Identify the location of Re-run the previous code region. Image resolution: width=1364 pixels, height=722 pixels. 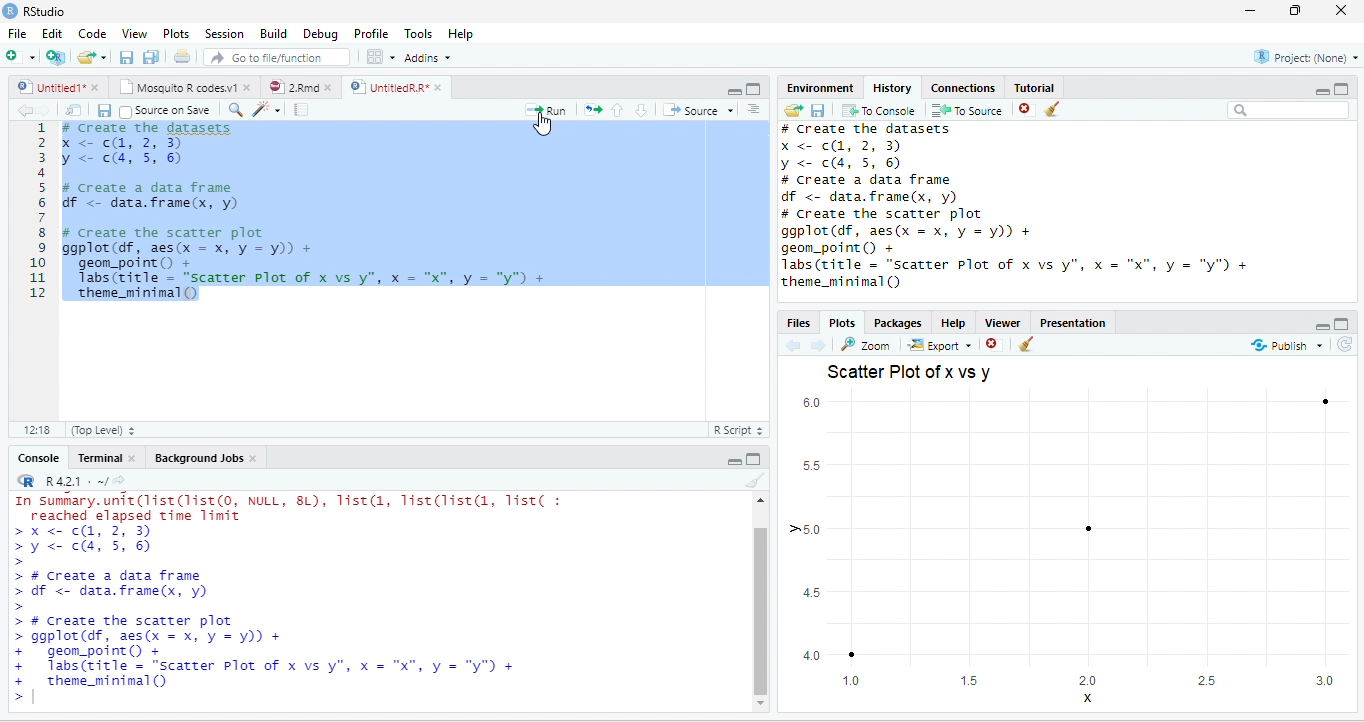
(593, 110).